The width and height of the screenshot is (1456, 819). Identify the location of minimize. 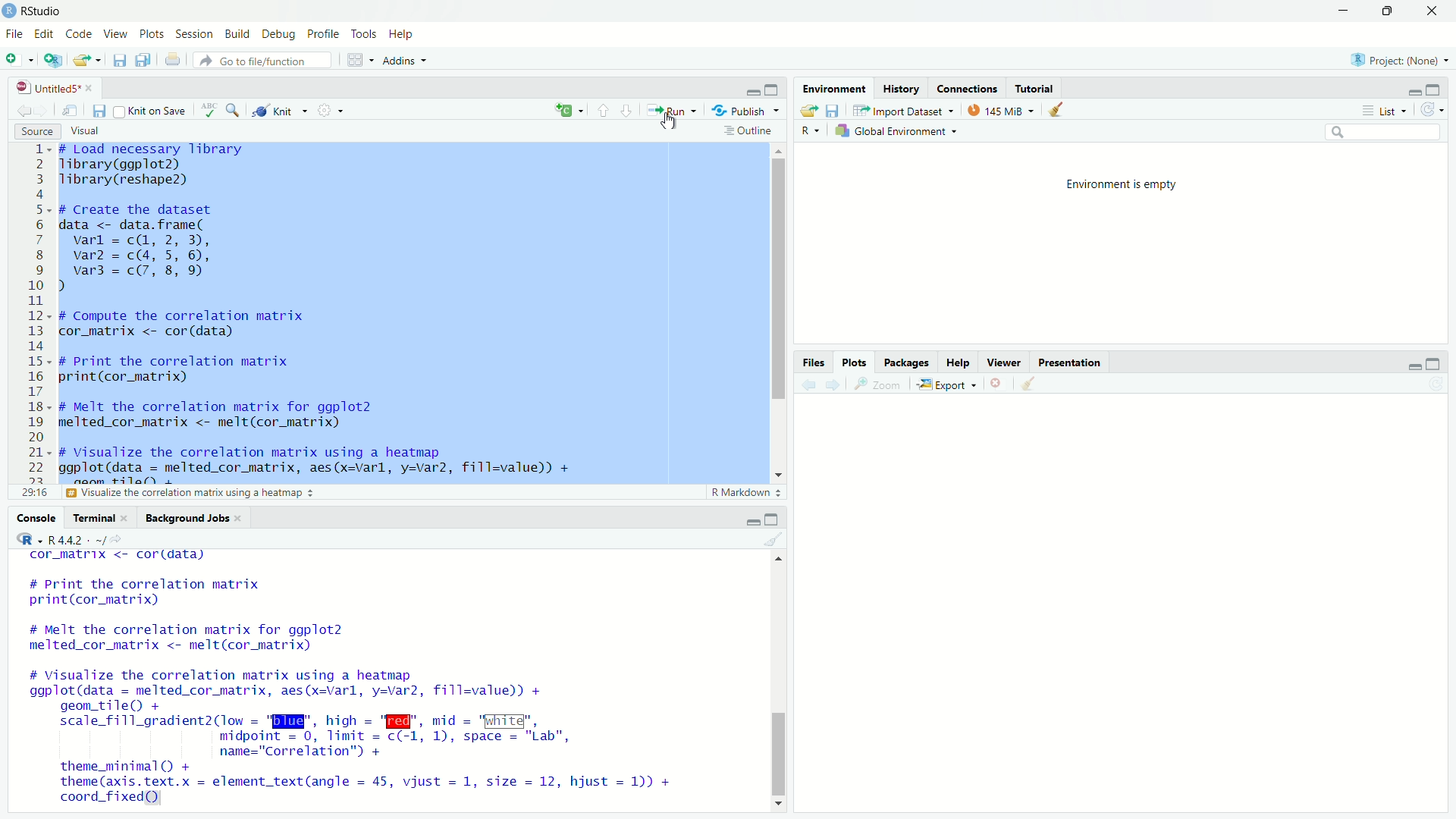
(1414, 89).